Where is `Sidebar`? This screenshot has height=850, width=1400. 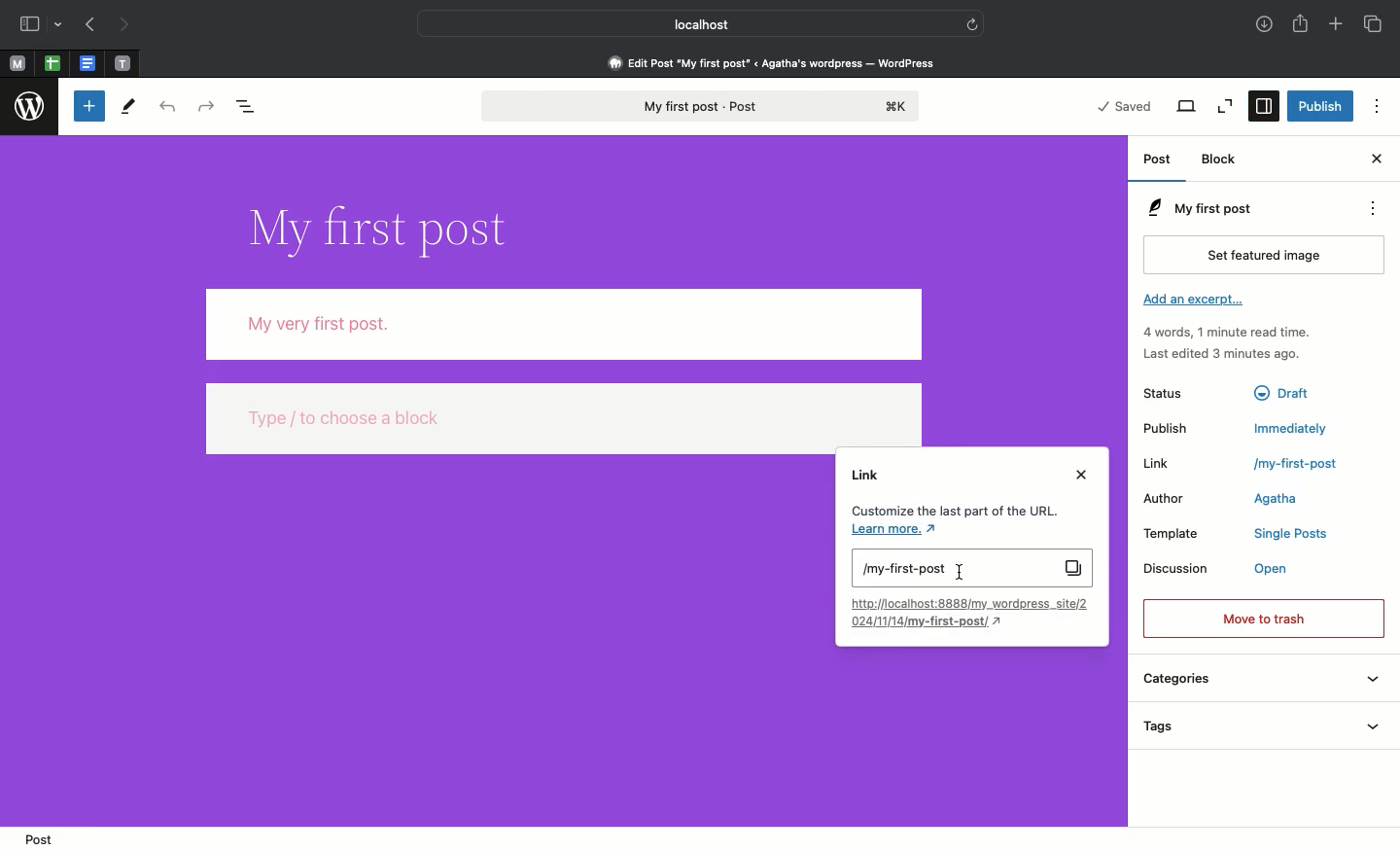
Sidebar is located at coordinates (28, 23).